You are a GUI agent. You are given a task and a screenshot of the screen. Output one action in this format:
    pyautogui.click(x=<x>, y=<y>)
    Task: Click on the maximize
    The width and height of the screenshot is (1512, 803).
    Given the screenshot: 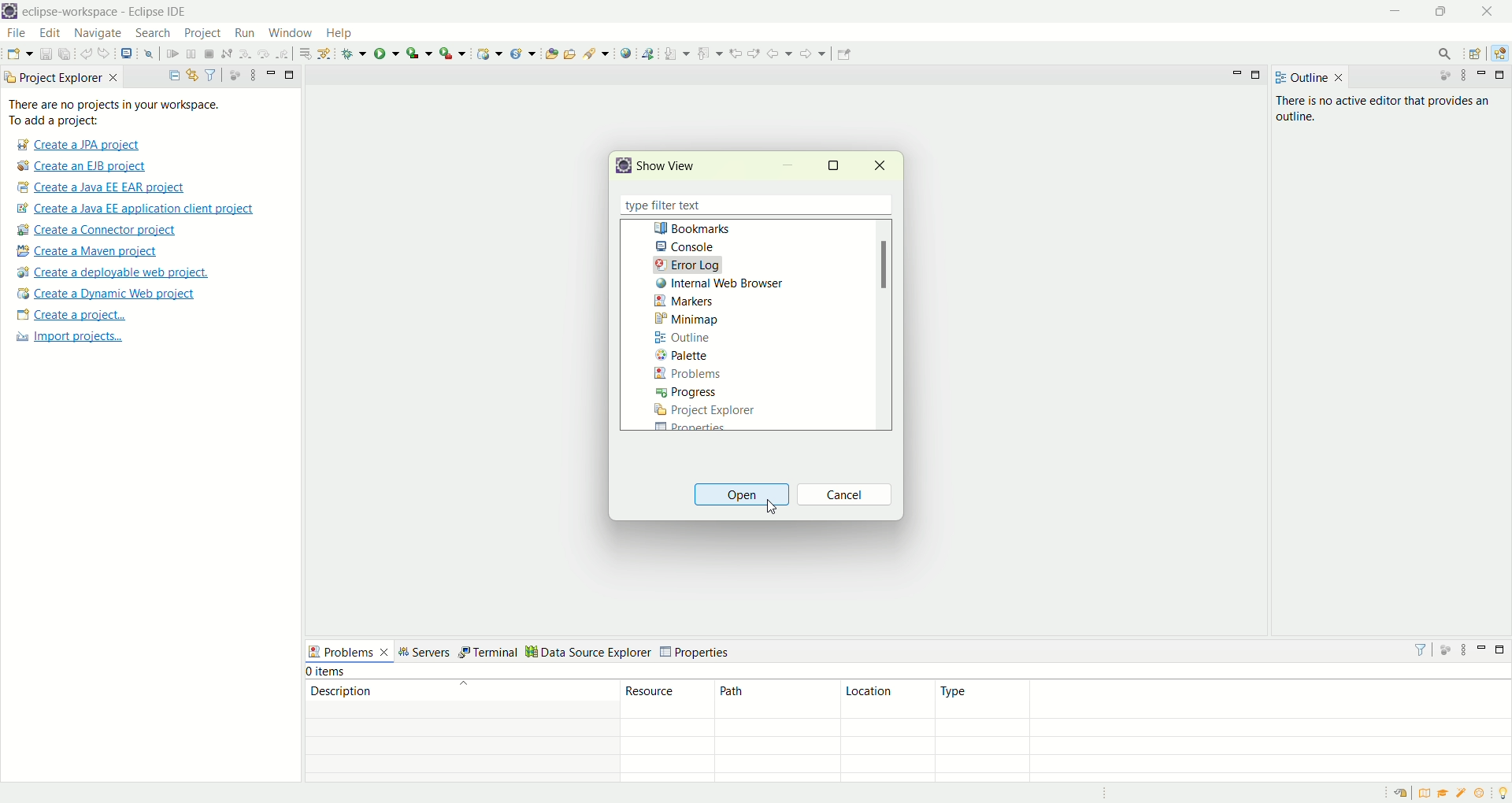 What is the action you would take?
    pyautogui.click(x=1258, y=75)
    